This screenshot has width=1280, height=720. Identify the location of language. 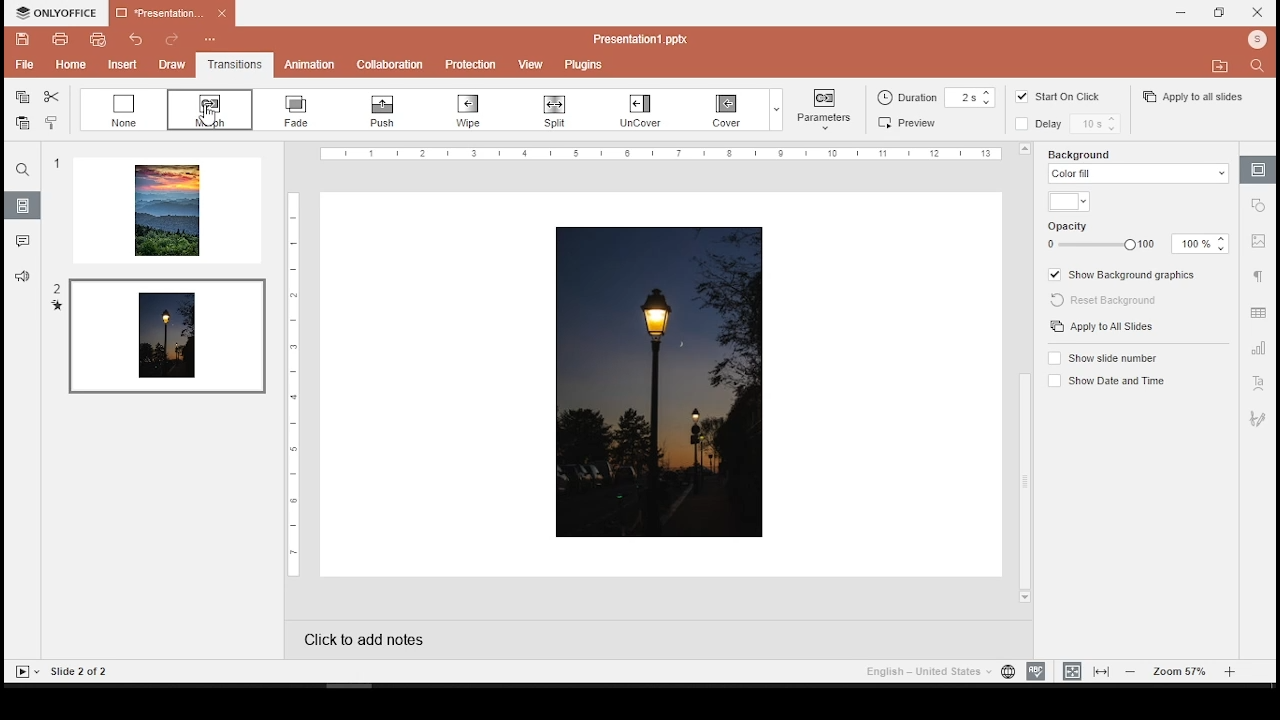
(1007, 672).